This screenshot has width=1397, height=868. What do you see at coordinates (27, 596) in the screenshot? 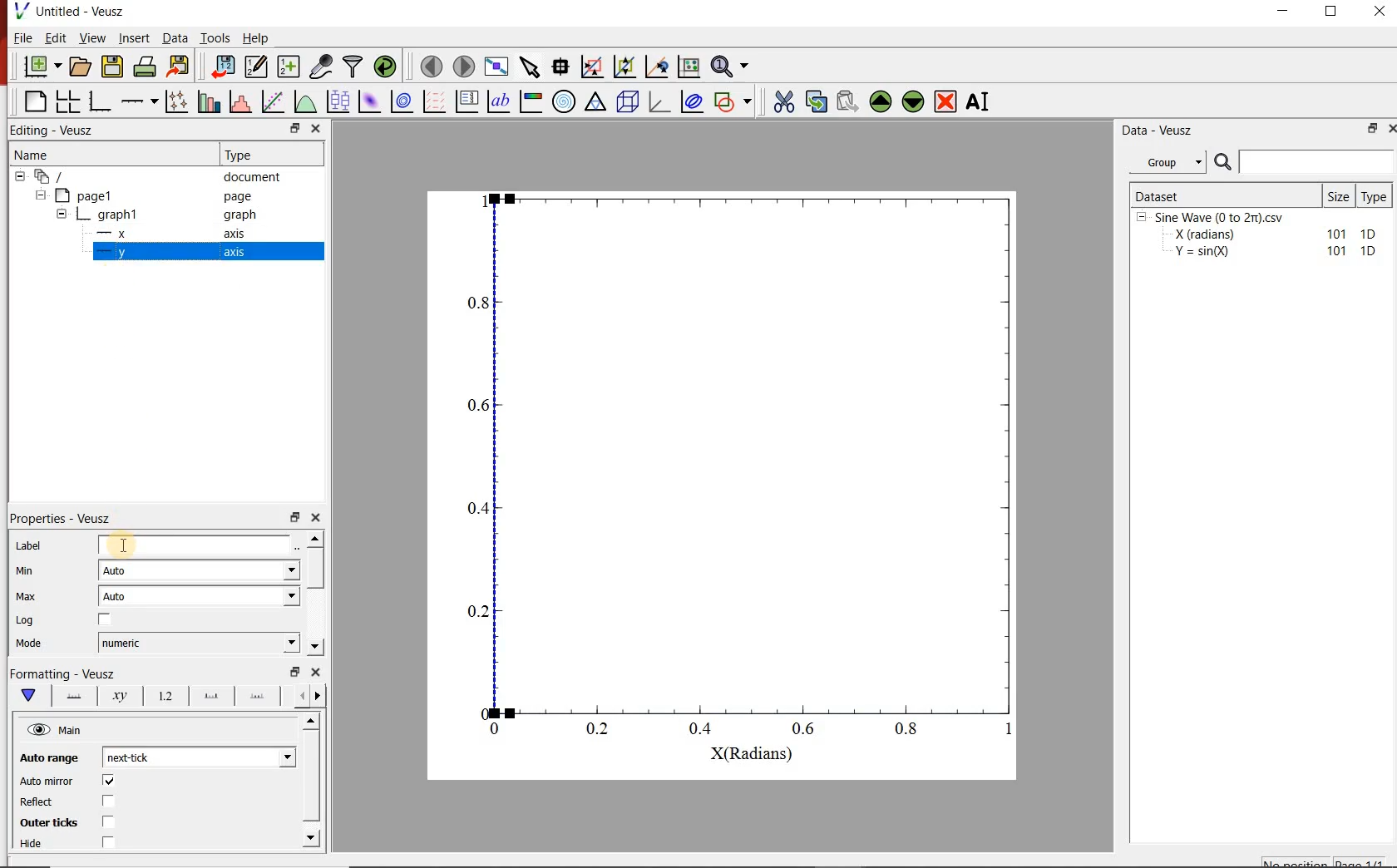
I see `Max` at bounding box center [27, 596].